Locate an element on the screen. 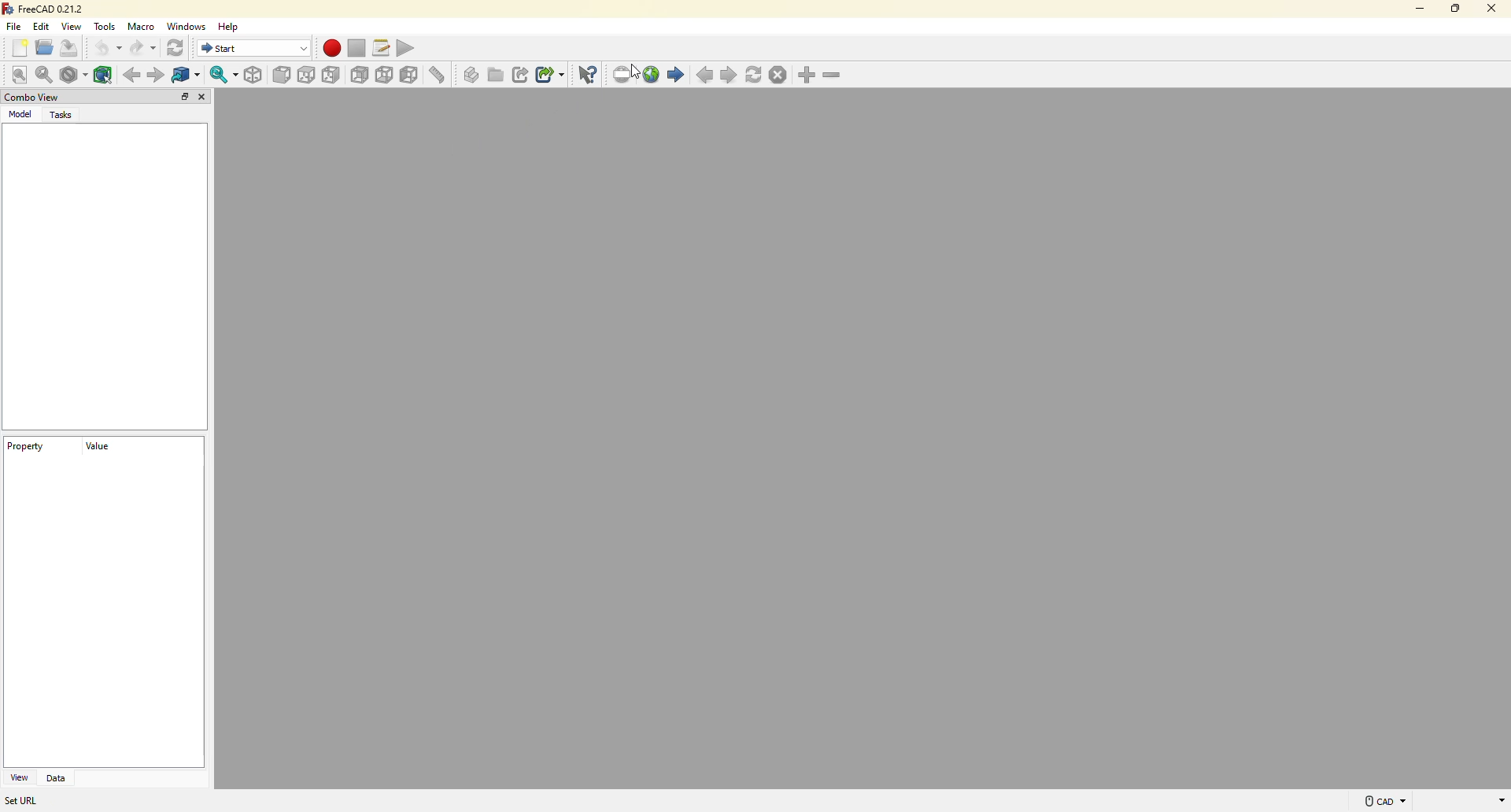 This screenshot has height=812, width=1511. back is located at coordinates (130, 75).